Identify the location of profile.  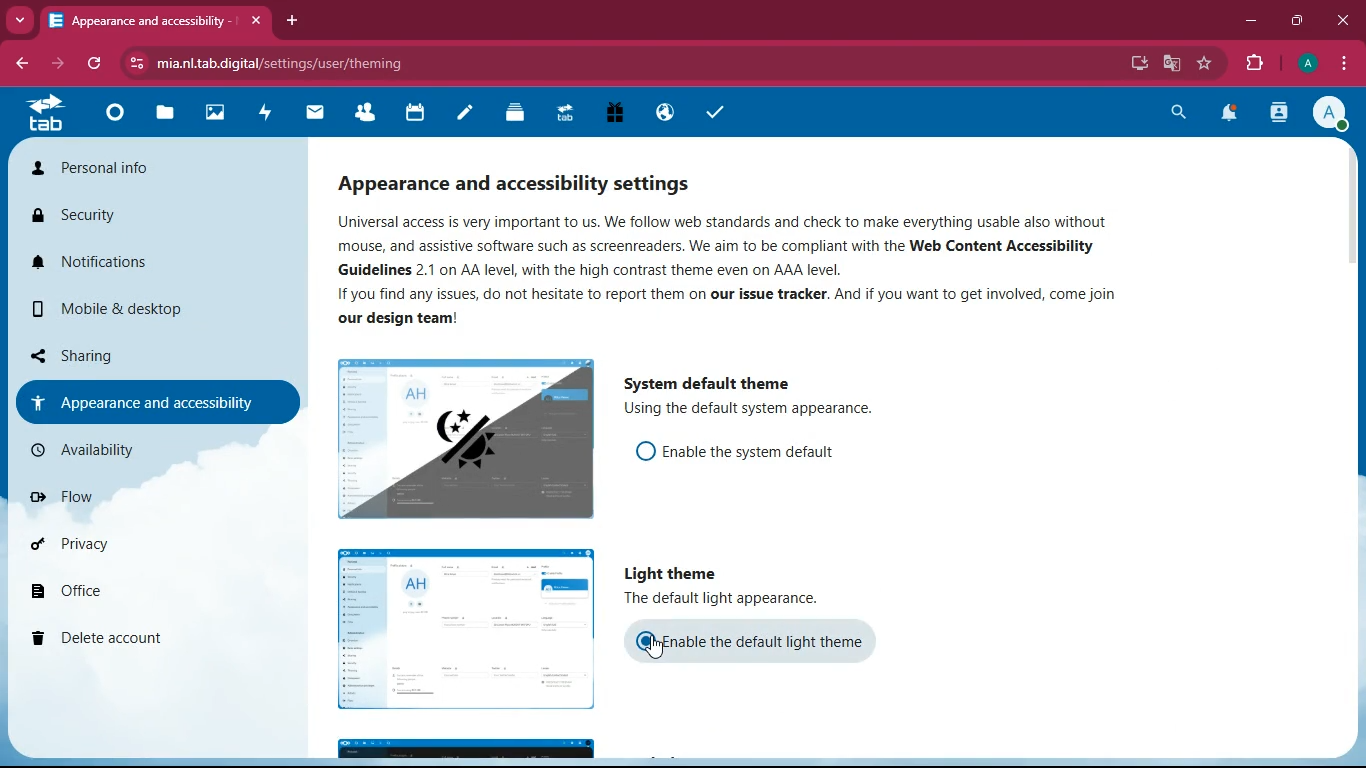
(1305, 64).